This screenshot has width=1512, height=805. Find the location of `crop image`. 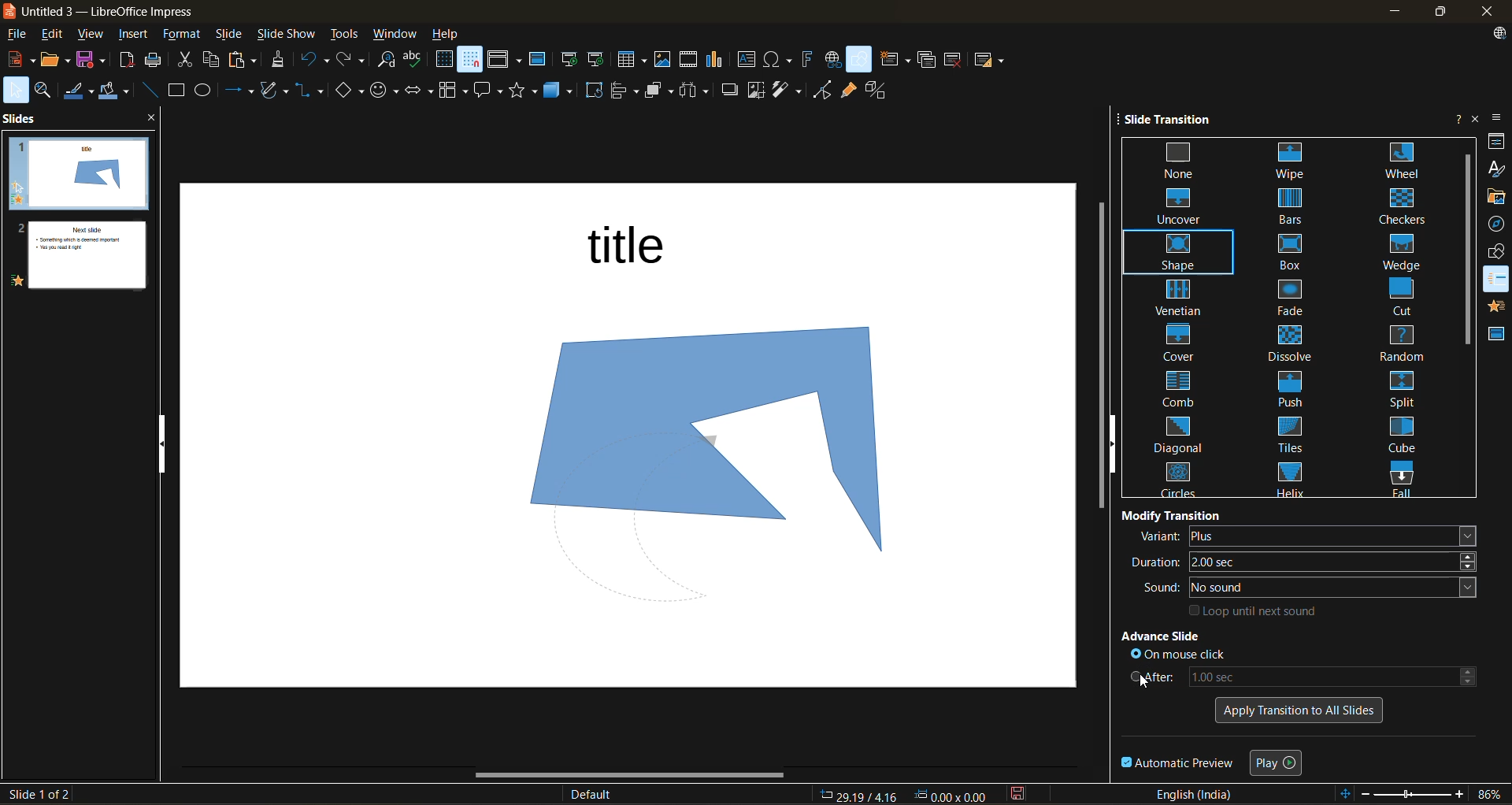

crop image is located at coordinates (755, 90).